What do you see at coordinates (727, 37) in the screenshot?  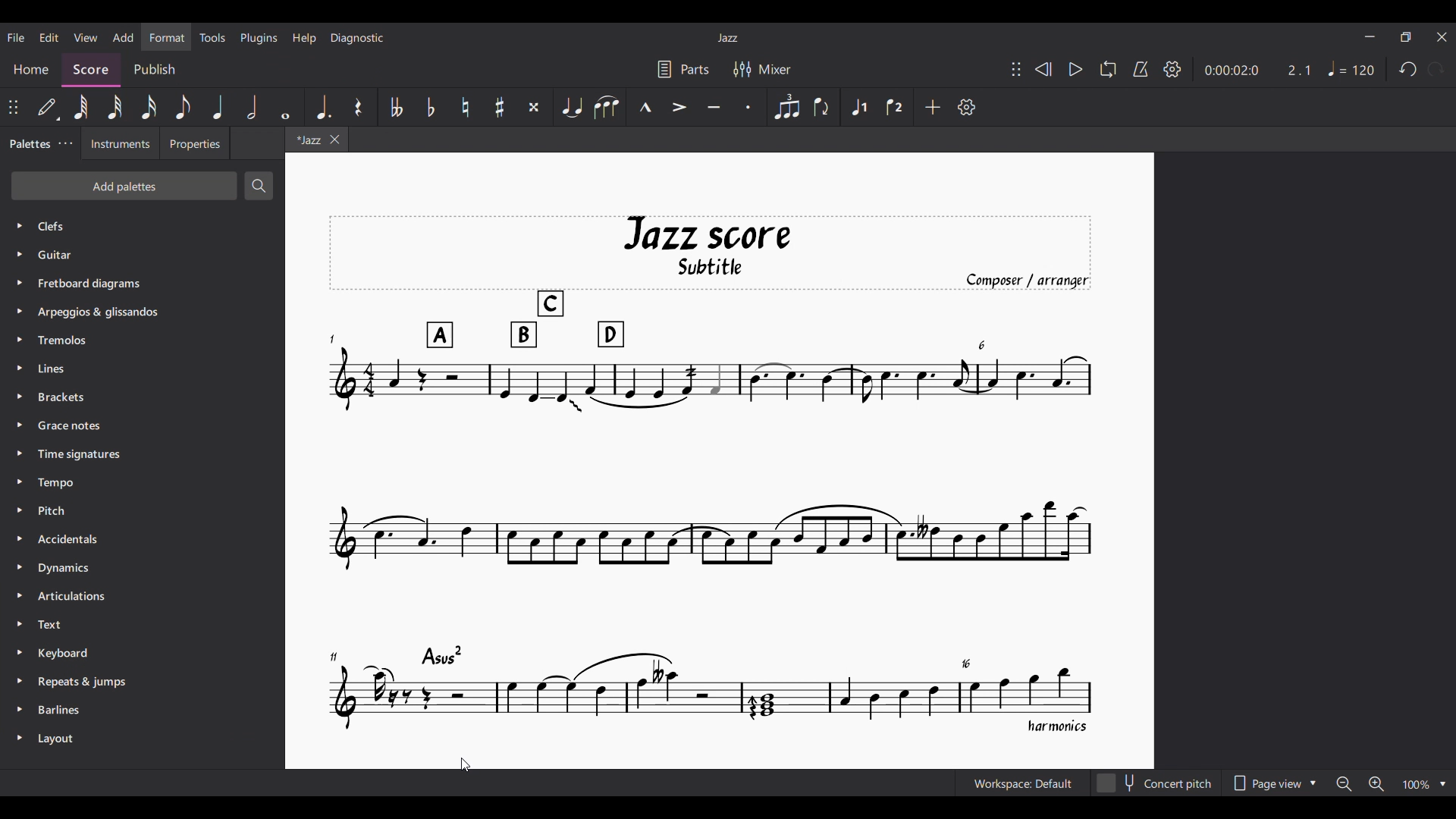 I see `Current score title` at bounding box center [727, 37].